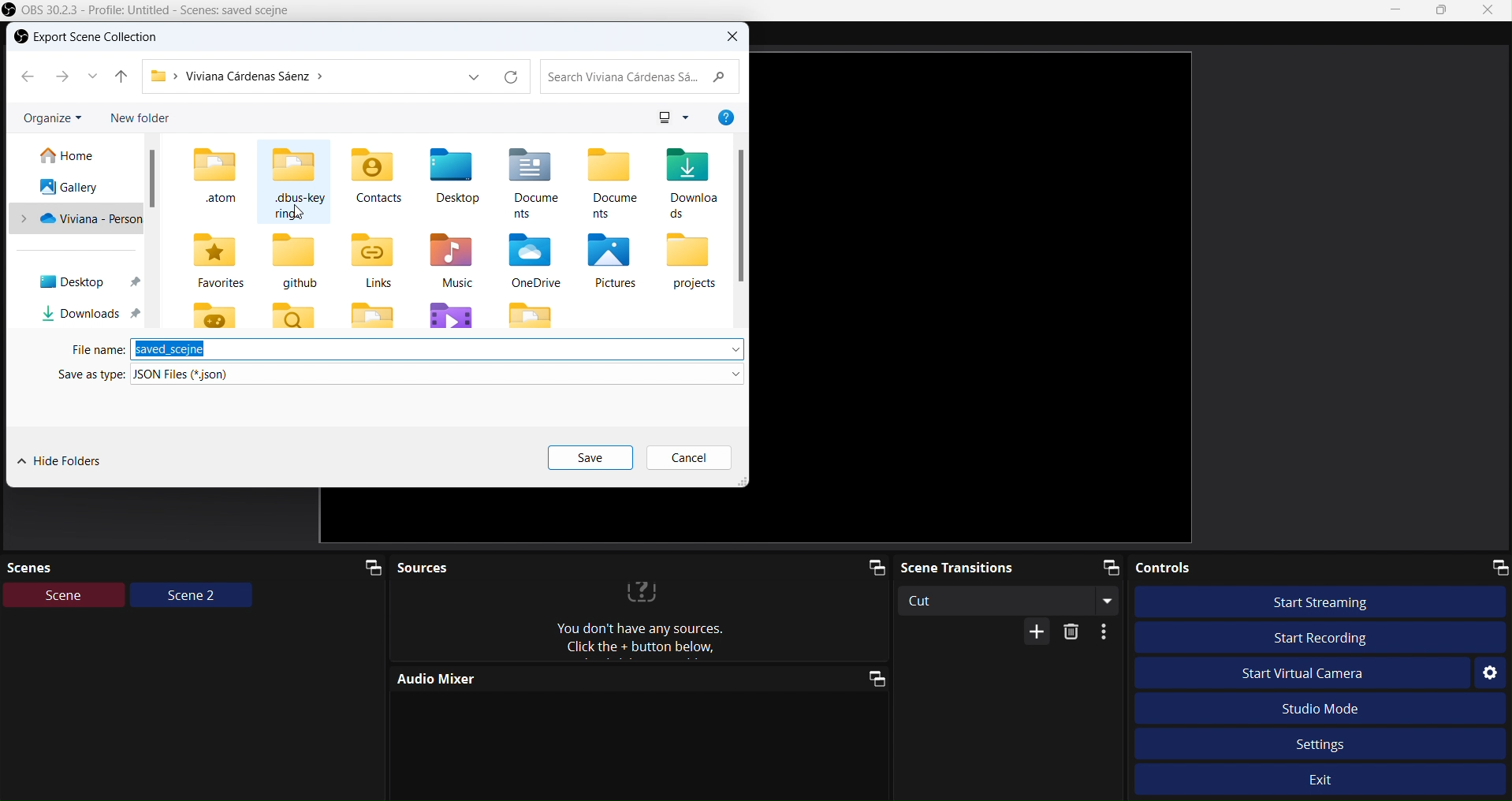  Describe the element at coordinates (1108, 631) in the screenshot. I see `More` at that location.